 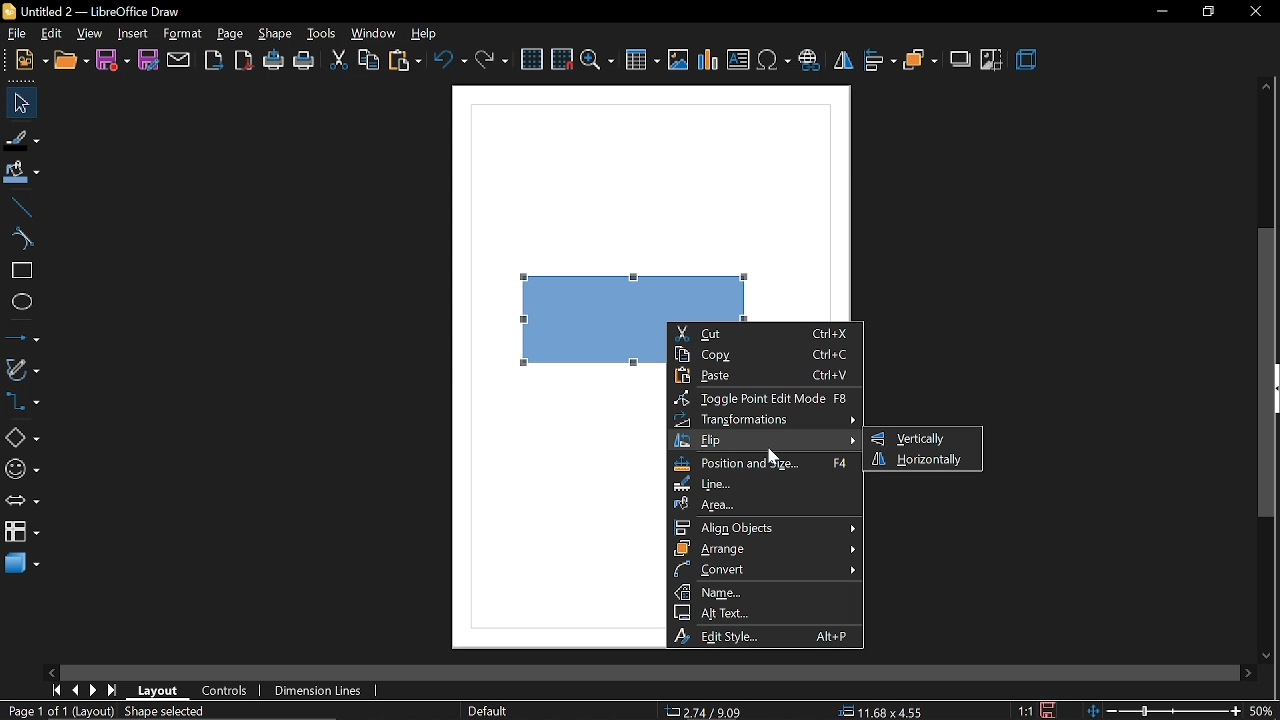 What do you see at coordinates (599, 62) in the screenshot?
I see `zoom` at bounding box center [599, 62].